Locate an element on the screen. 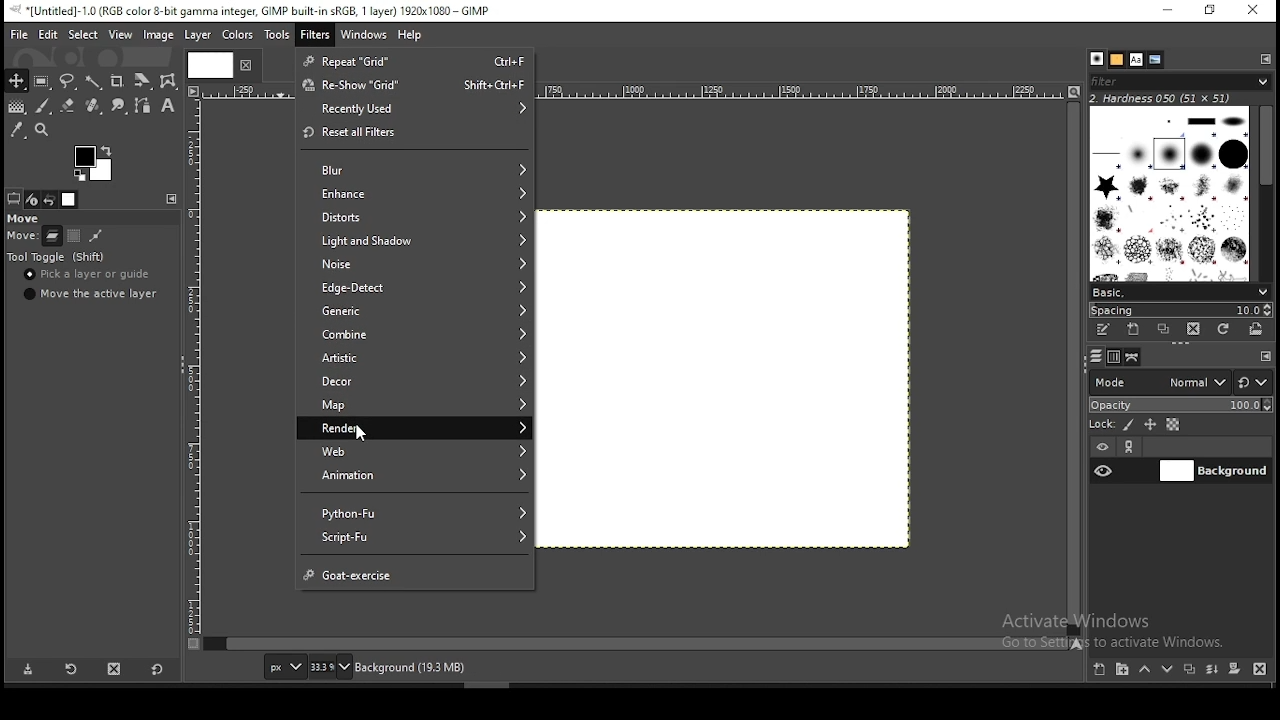  restore is located at coordinates (1213, 10).